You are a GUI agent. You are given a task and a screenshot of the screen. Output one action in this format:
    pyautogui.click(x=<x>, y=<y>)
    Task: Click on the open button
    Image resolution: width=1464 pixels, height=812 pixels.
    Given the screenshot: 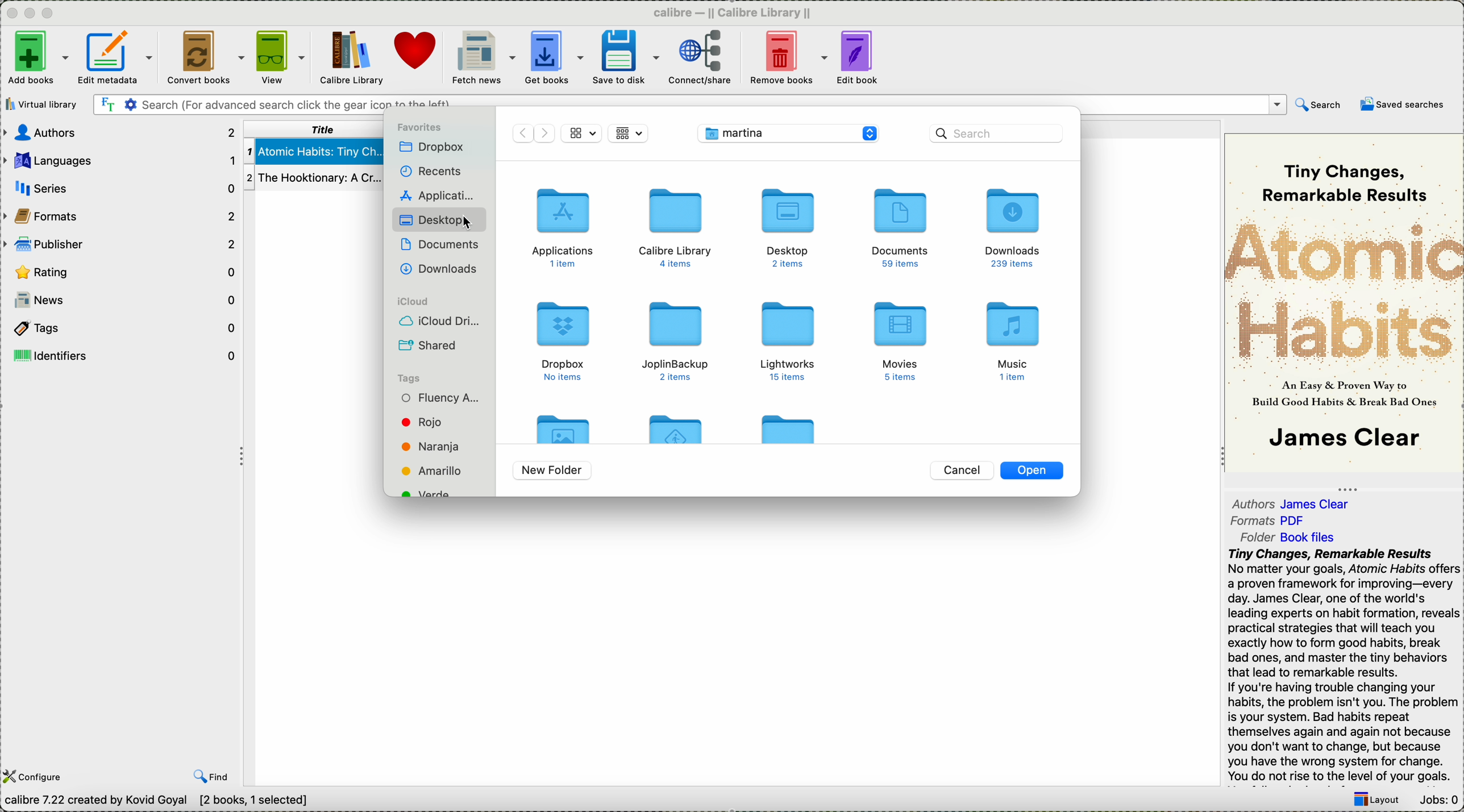 What is the action you would take?
    pyautogui.click(x=1032, y=470)
    